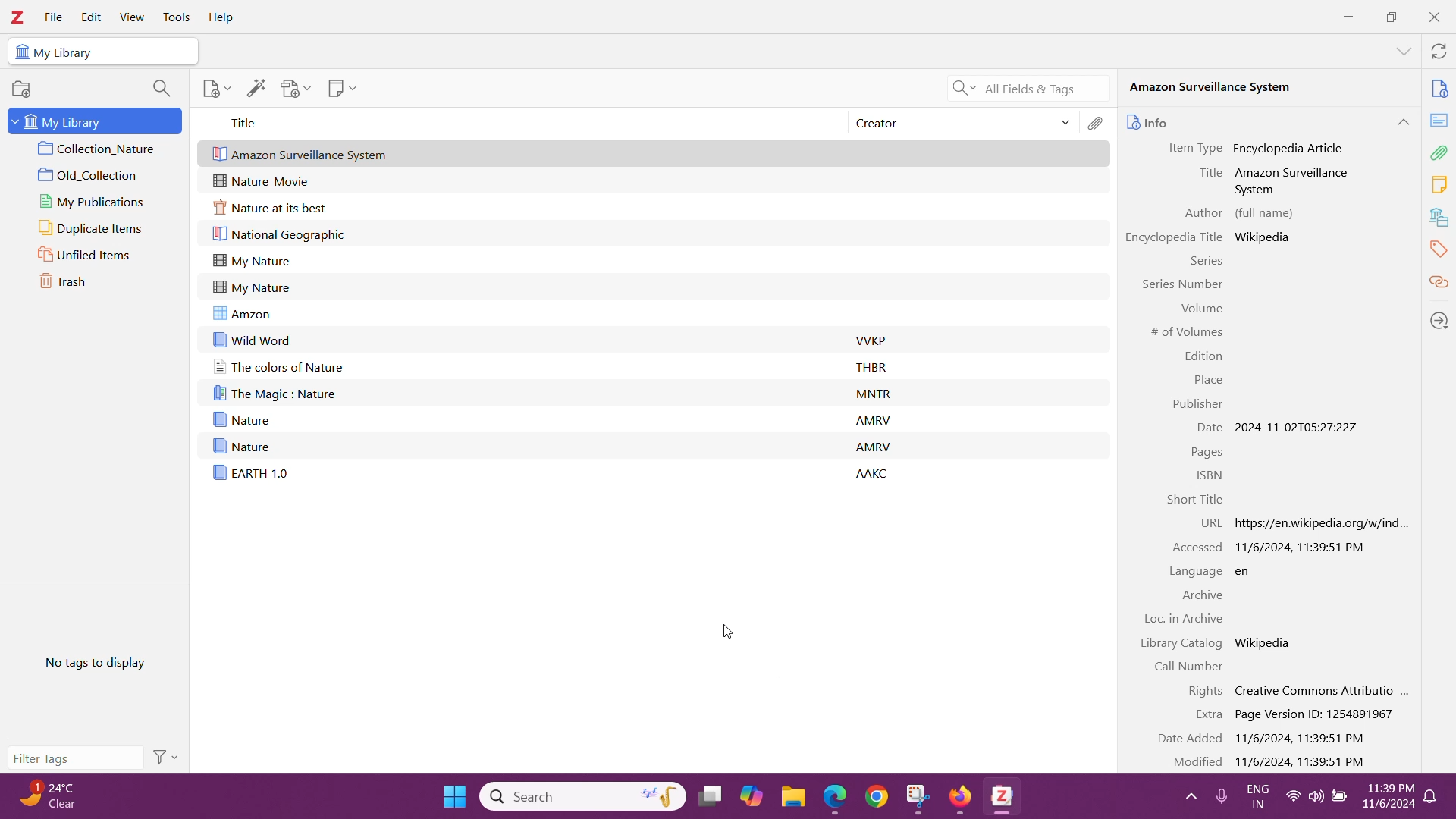  What do you see at coordinates (1282, 572) in the screenshot?
I see `Webpage language` at bounding box center [1282, 572].